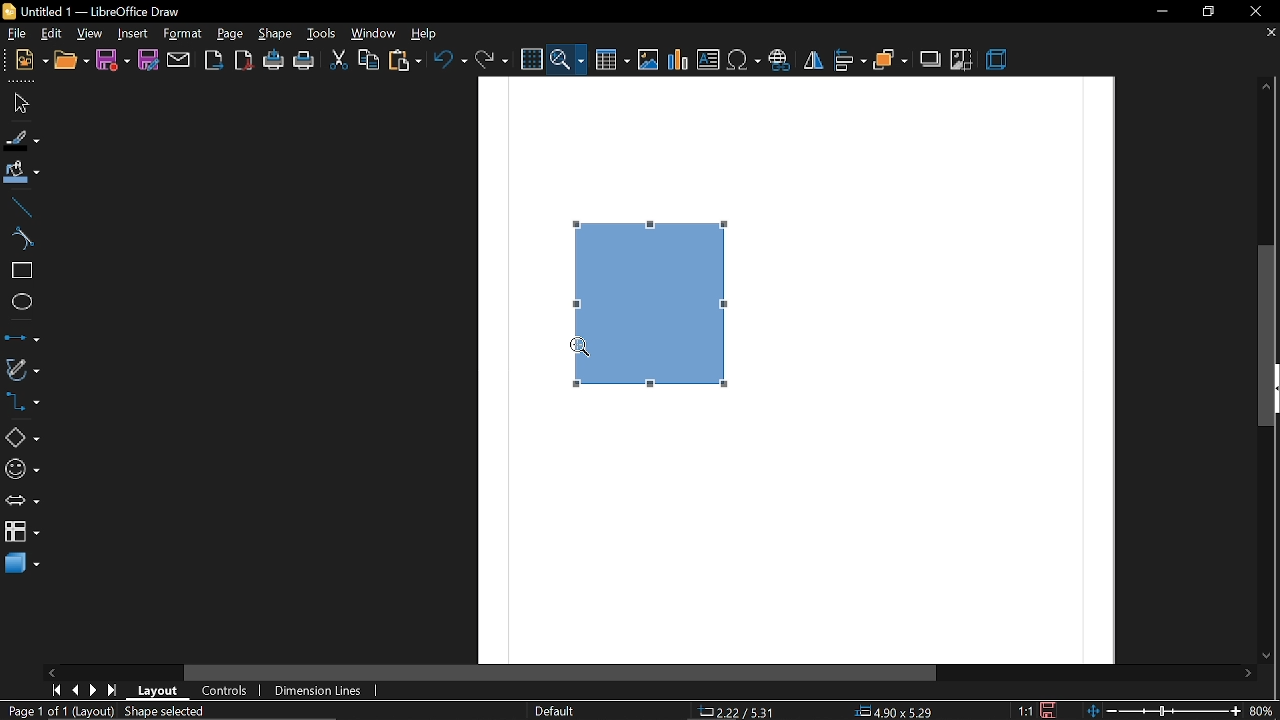 Image resolution: width=1280 pixels, height=720 pixels. Describe the element at coordinates (745, 60) in the screenshot. I see `Insert symbol` at that location.